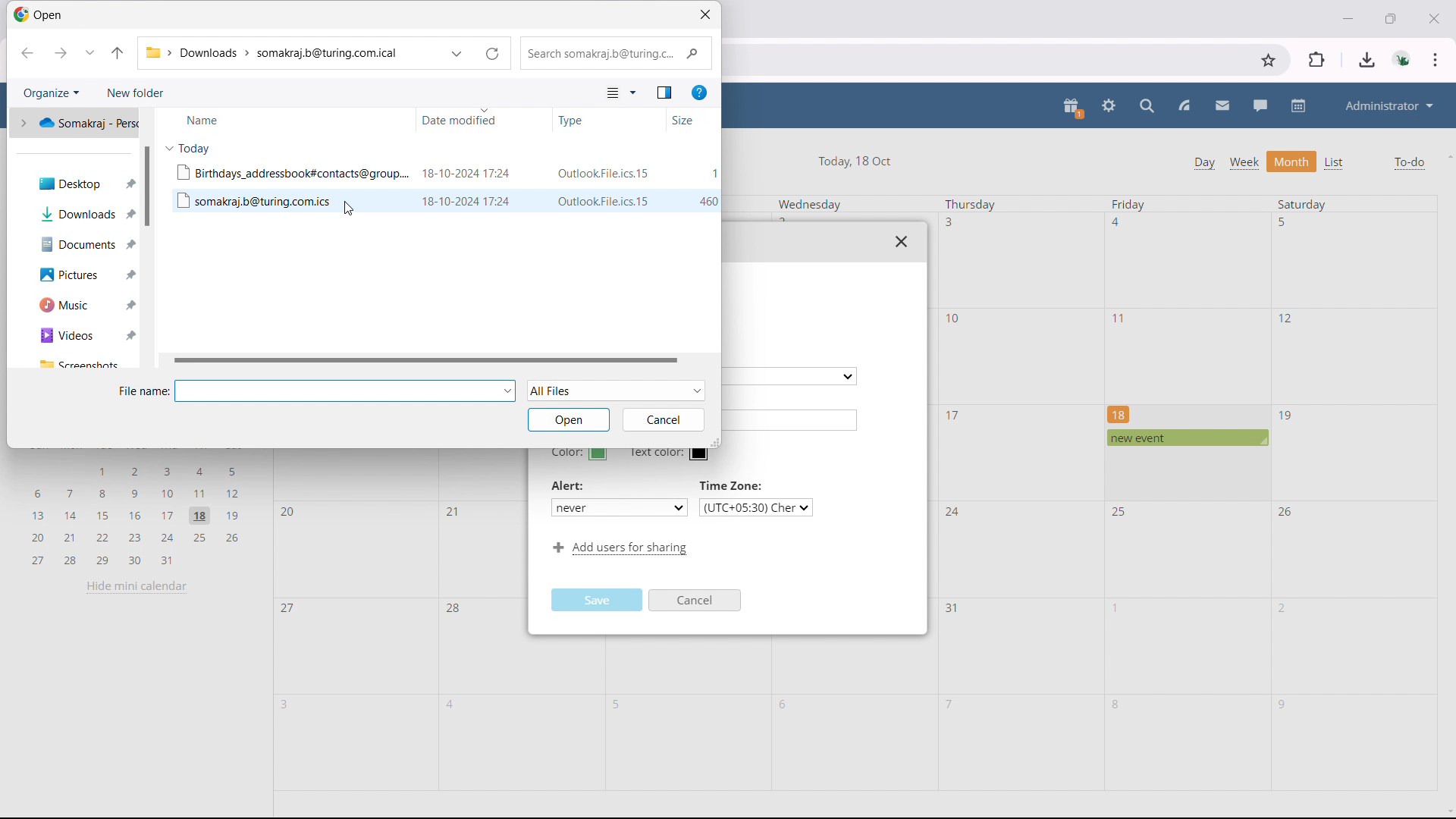  Describe the element at coordinates (80, 363) in the screenshot. I see `Screenshots` at that location.